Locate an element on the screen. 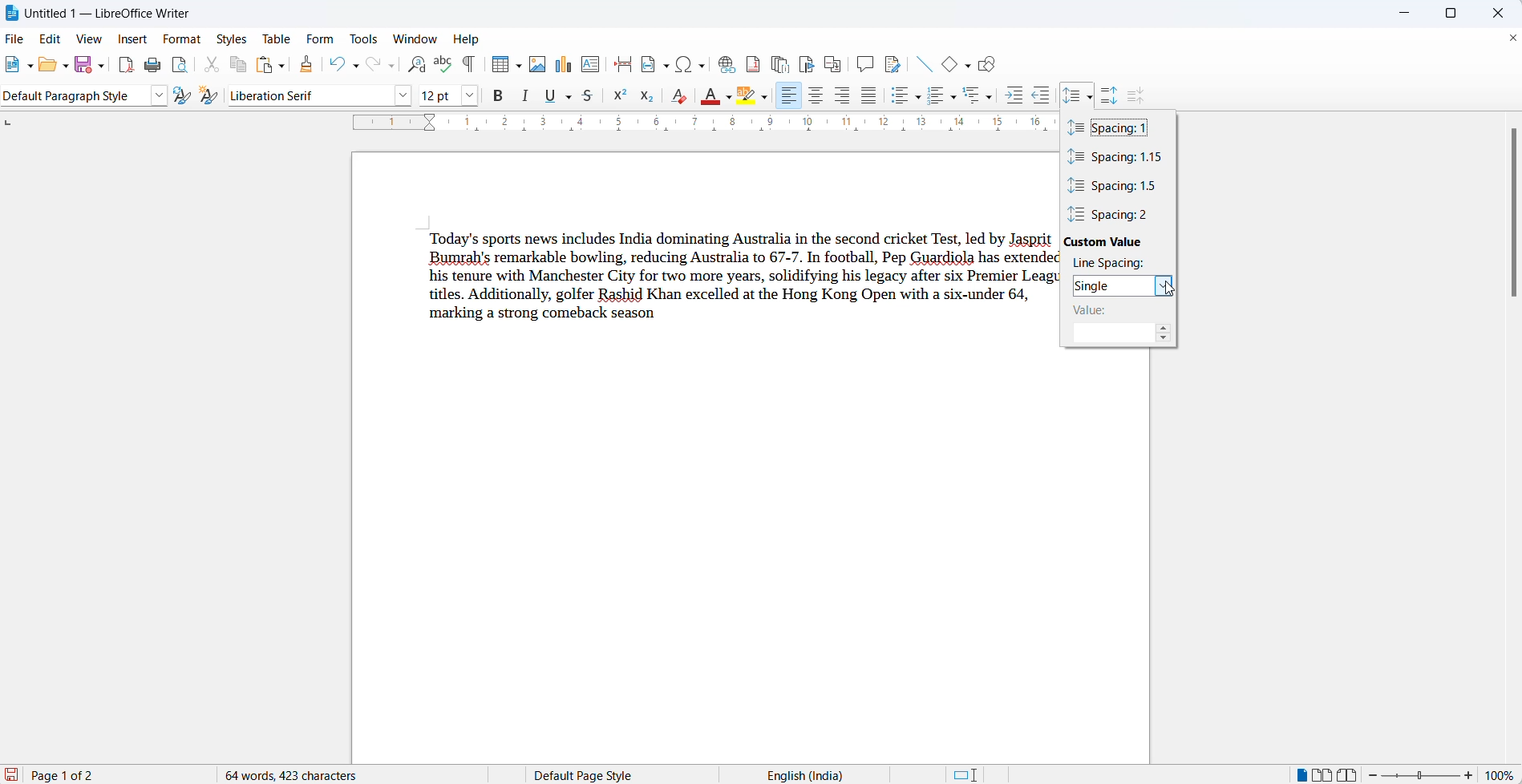  insert images is located at coordinates (540, 65).